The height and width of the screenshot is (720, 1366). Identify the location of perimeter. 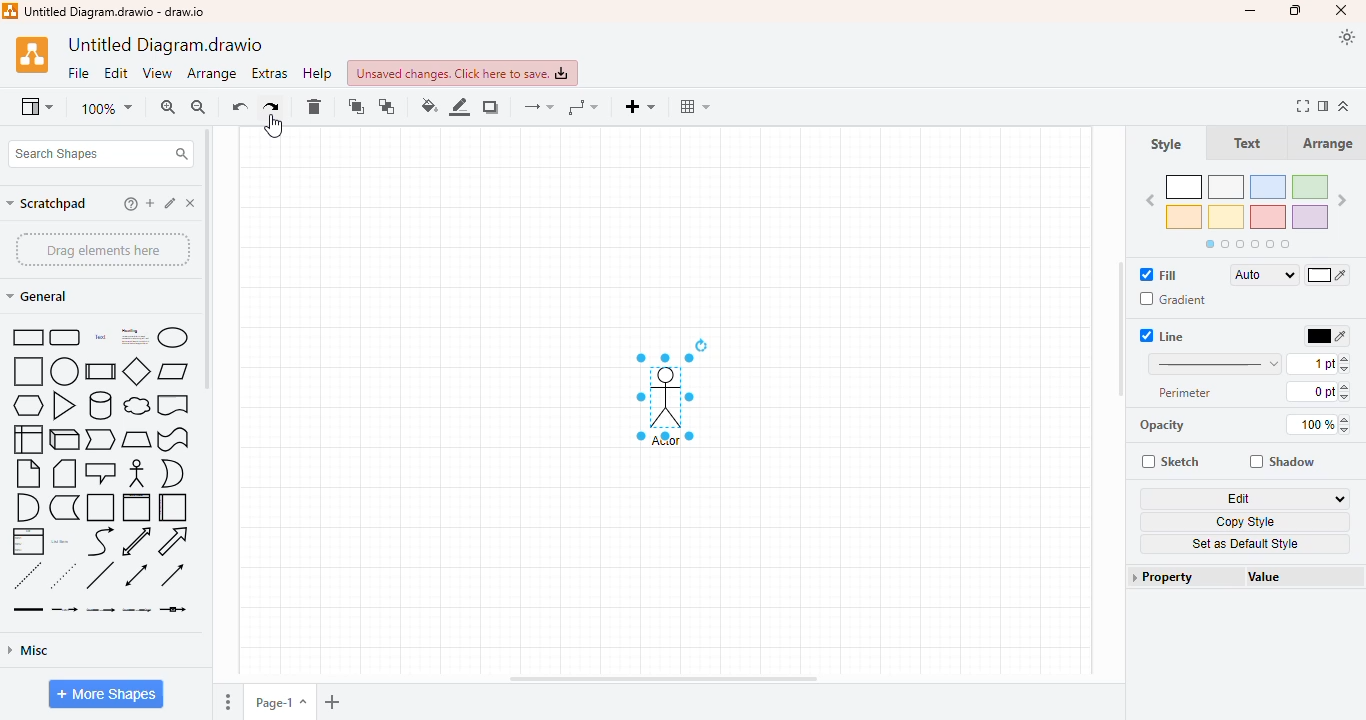
(1186, 392).